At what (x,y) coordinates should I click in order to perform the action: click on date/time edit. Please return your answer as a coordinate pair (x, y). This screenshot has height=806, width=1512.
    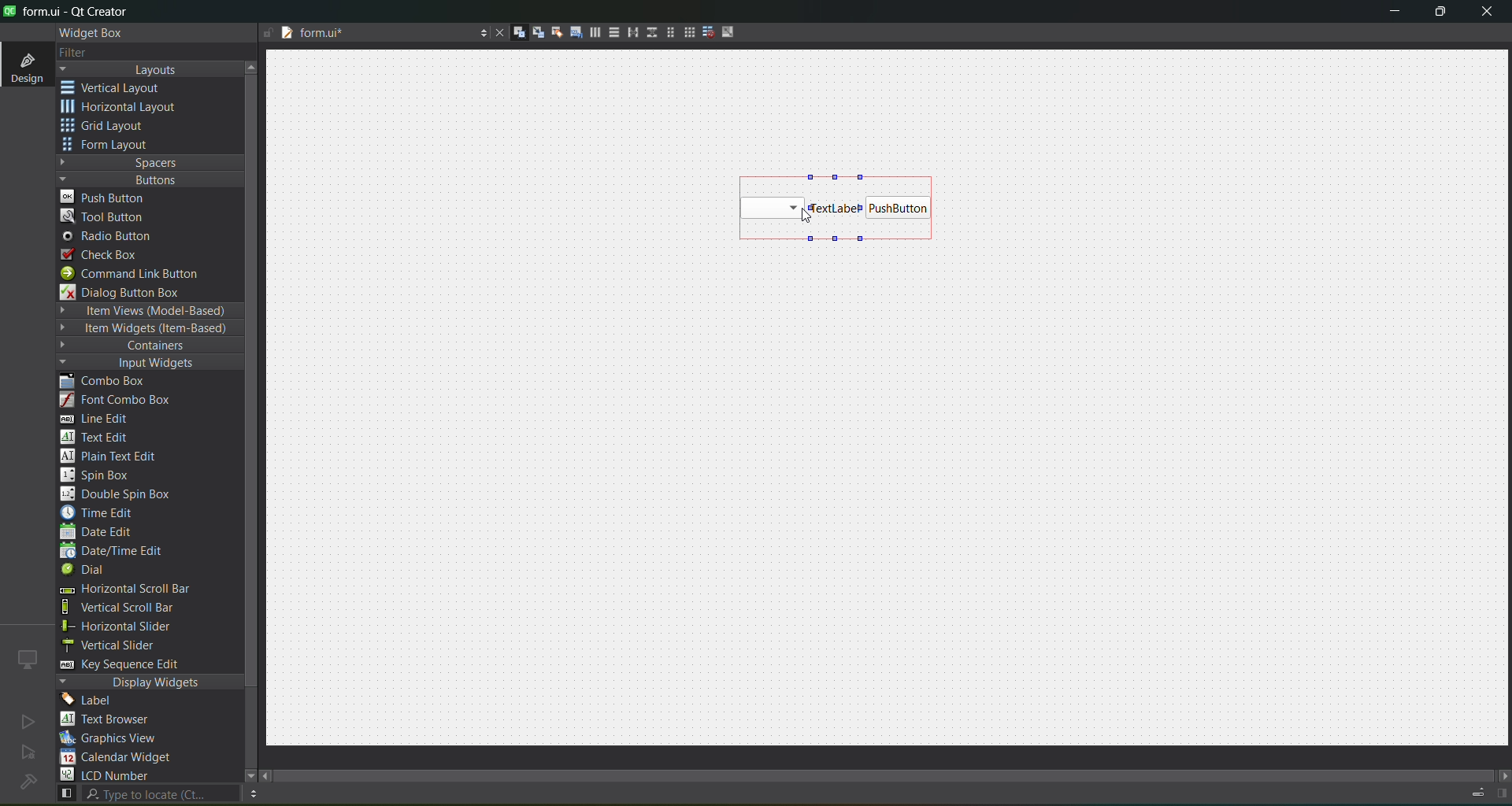
    Looking at the image, I should click on (126, 552).